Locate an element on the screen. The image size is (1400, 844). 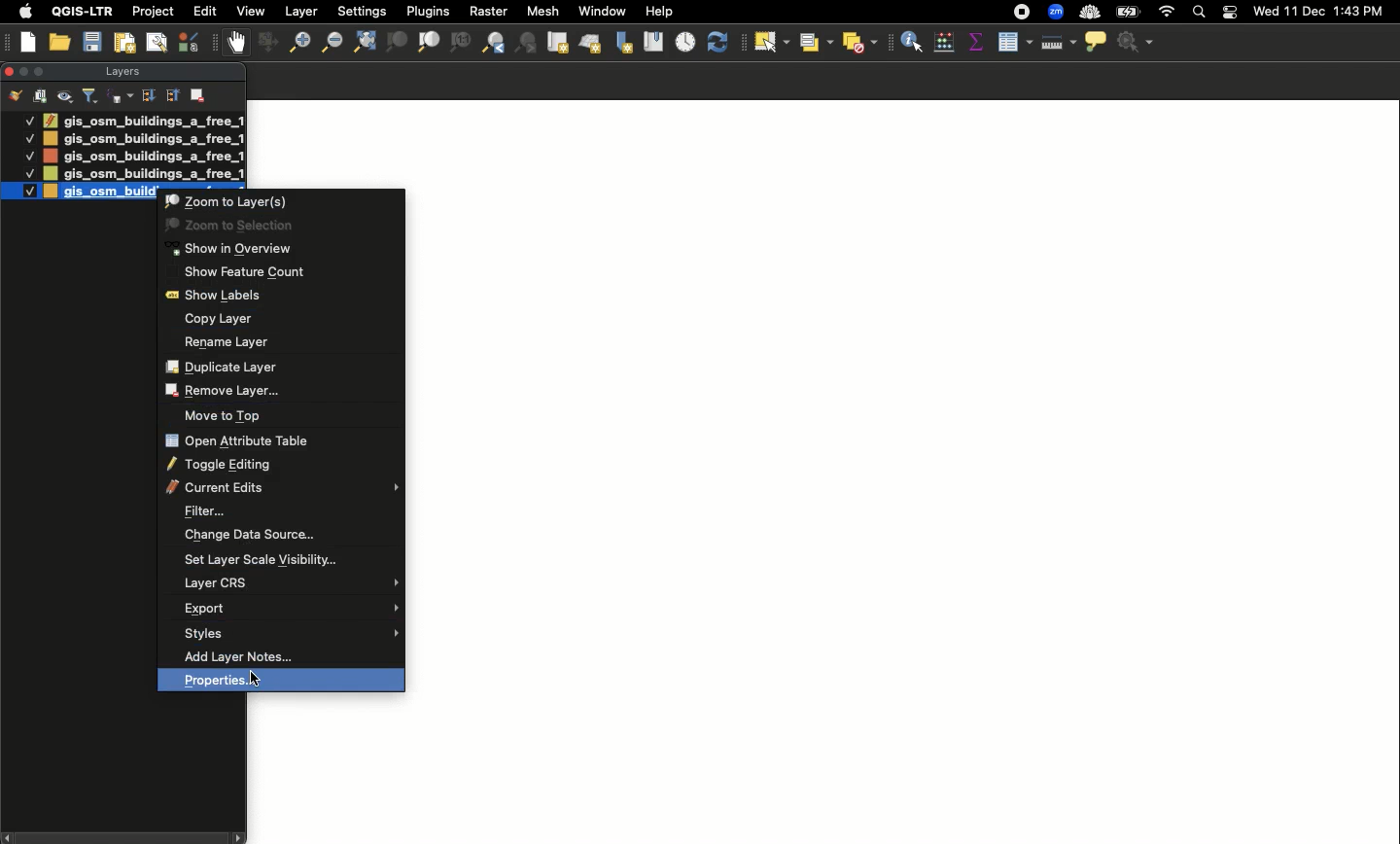
Refresh is located at coordinates (721, 43).